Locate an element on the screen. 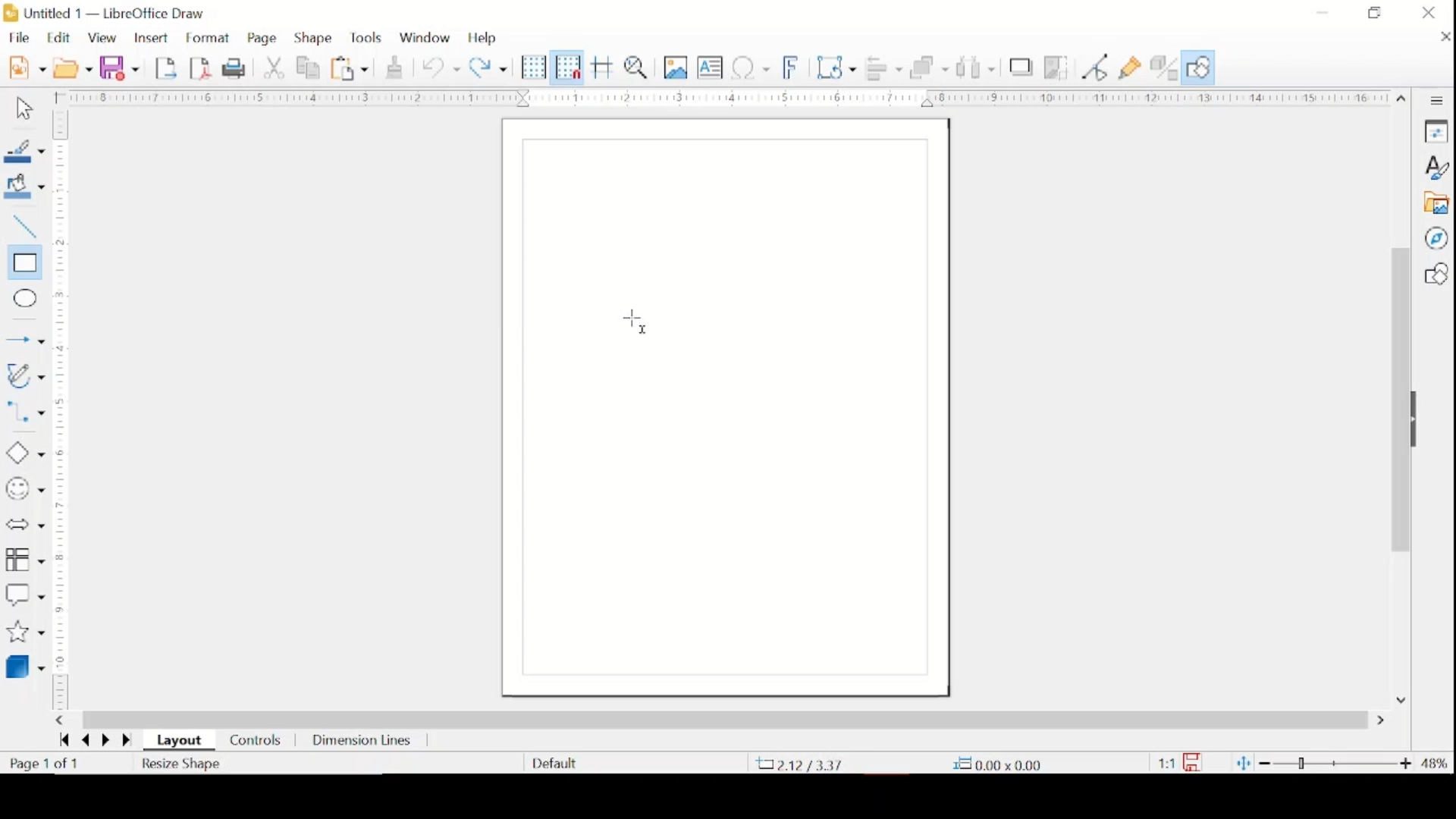 The width and height of the screenshot is (1456, 819). insert ellipse is located at coordinates (22, 299).